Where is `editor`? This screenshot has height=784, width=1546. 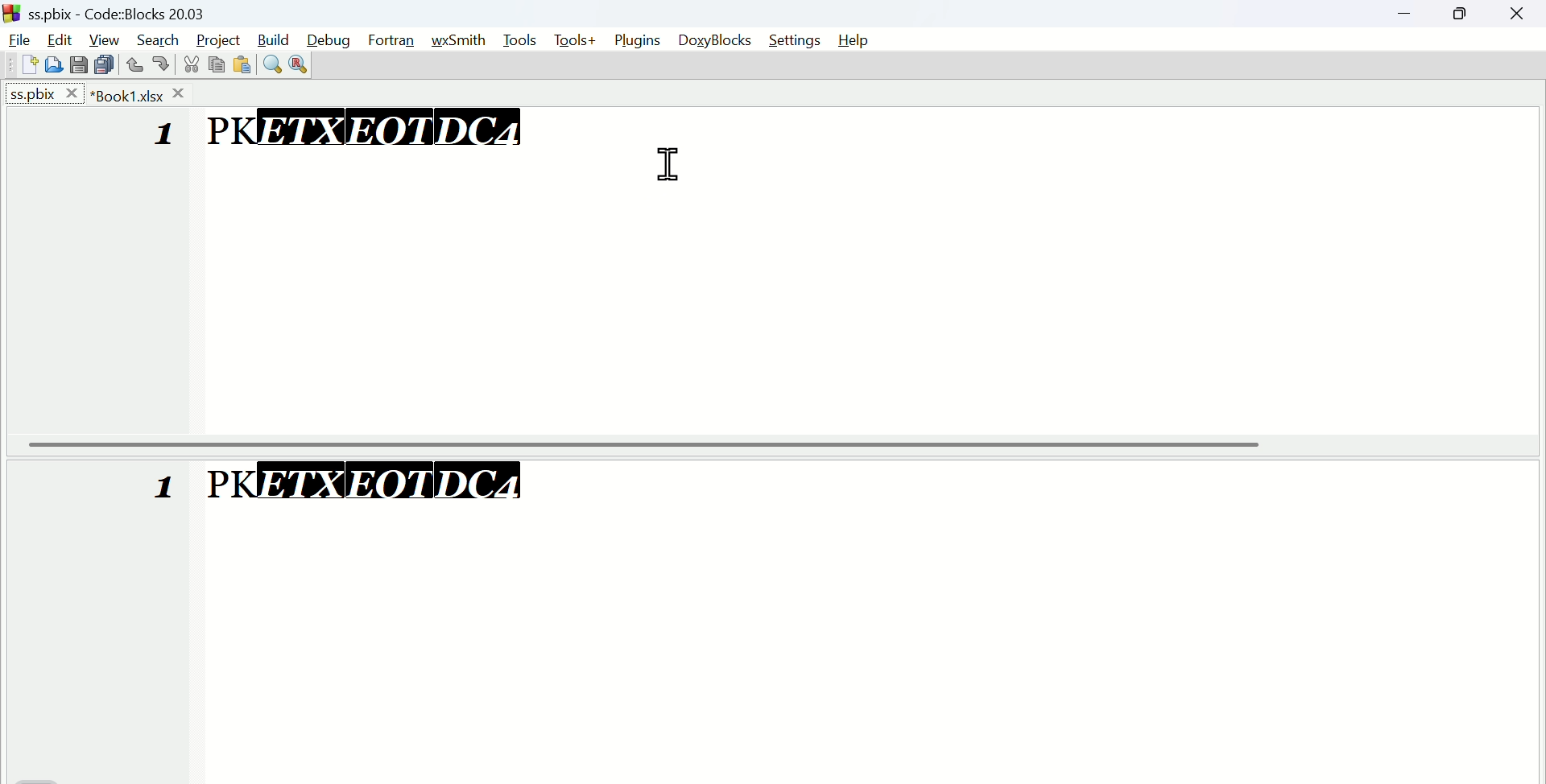 editor is located at coordinates (870, 269).